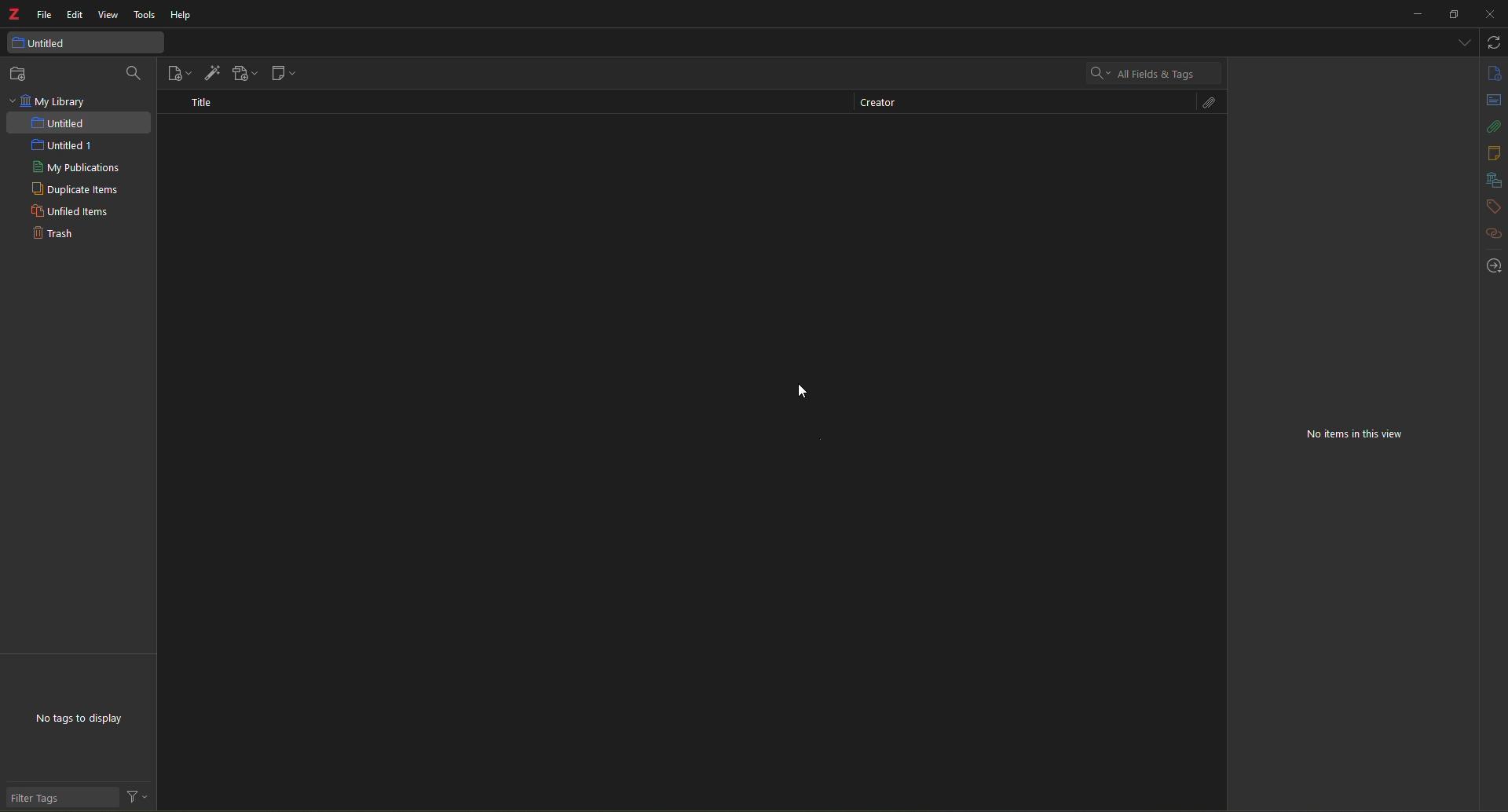 The width and height of the screenshot is (1508, 812). What do you see at coordinates (137, 797) in the screenshot?
I see `actions` at bounding box center [137, 797].